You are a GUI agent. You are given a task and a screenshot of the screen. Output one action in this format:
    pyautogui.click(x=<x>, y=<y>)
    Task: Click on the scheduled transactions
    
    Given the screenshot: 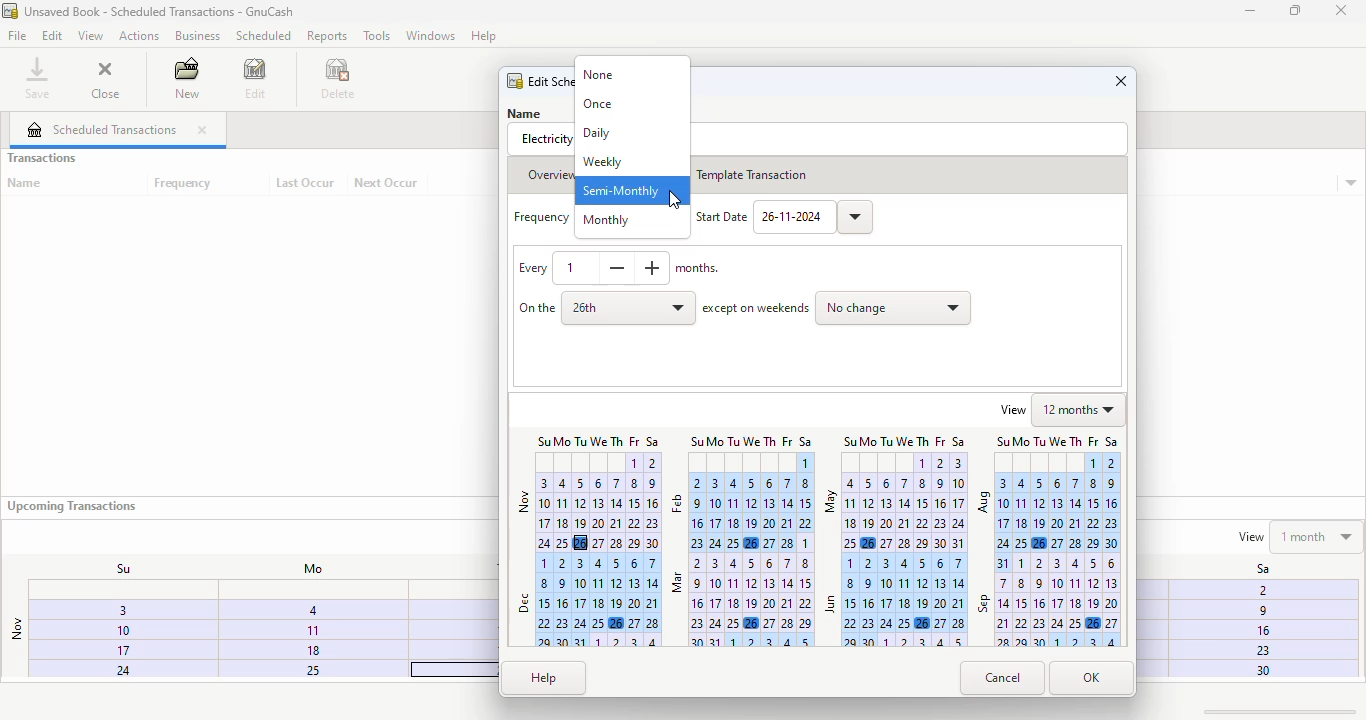 What is the action you would take?
    pyautogui.click(x=102, y=129)
    